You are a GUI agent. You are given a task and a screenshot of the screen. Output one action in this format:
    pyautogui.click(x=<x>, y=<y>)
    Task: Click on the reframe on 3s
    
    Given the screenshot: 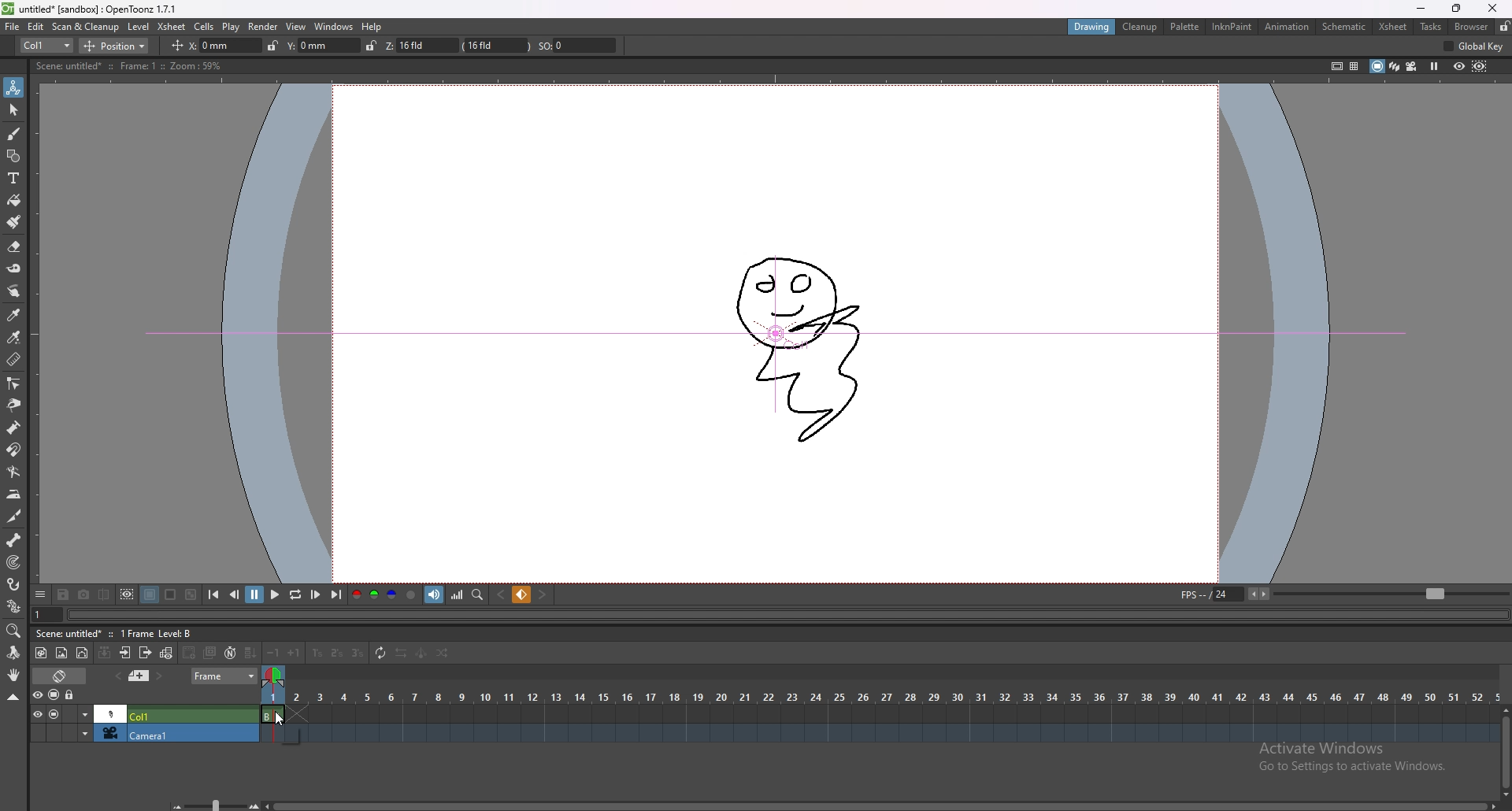 What is the action you would take?
    pyautogui.click(x=355, y=653)
    